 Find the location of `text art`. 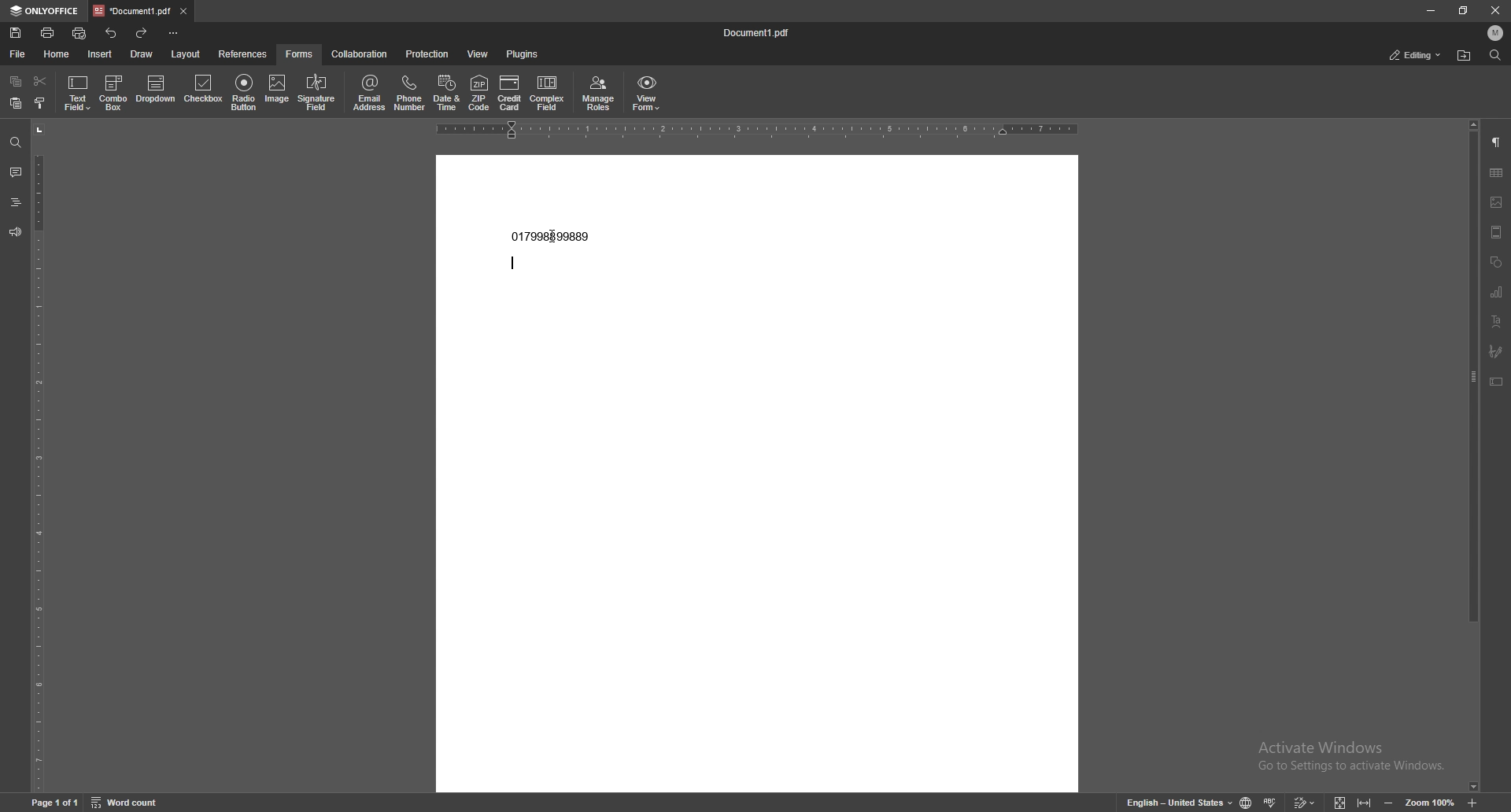

text art is located at coordinates (1496, 322).